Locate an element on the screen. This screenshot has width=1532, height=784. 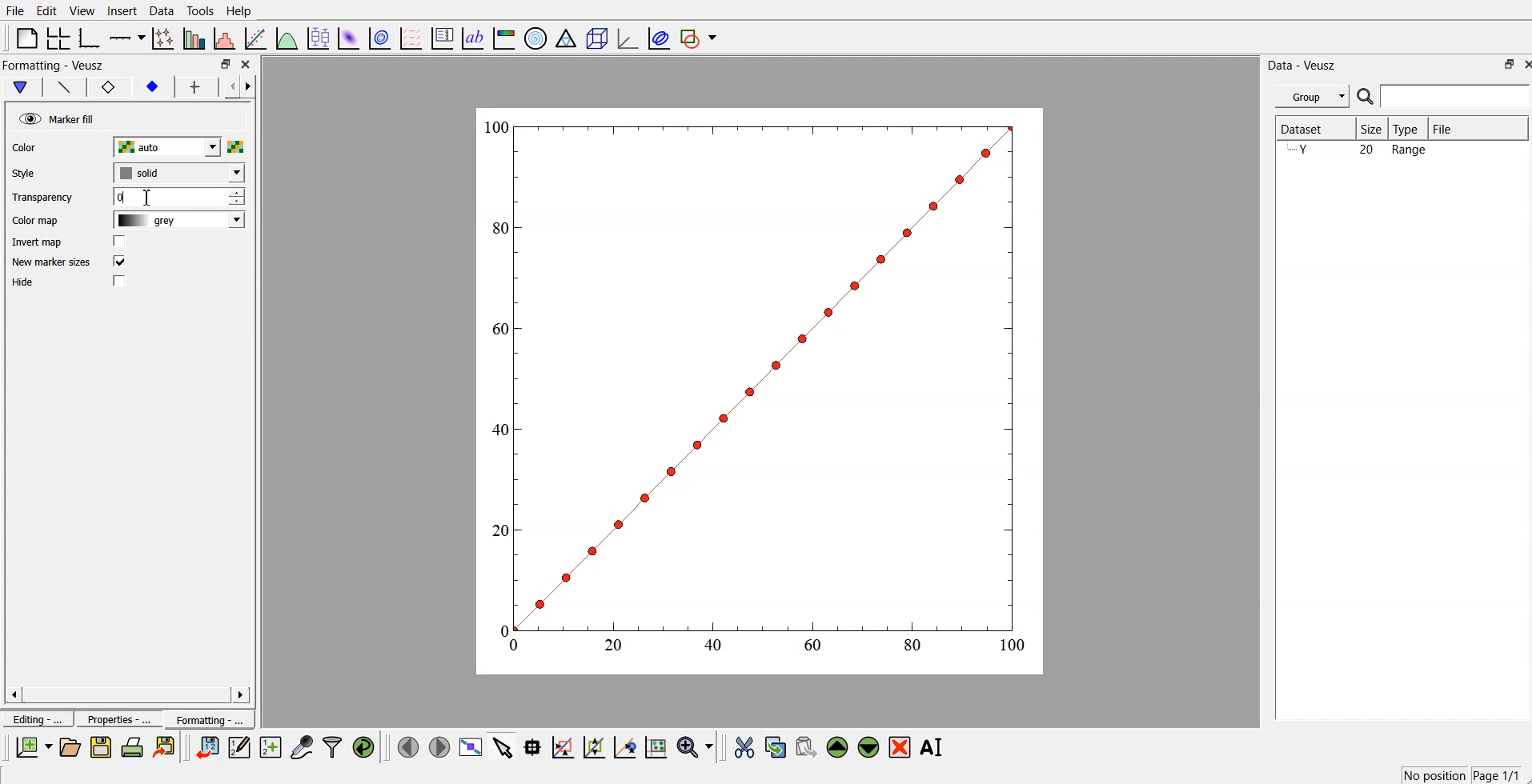
No position page 1/1 is located at coordinates (1460, 774).